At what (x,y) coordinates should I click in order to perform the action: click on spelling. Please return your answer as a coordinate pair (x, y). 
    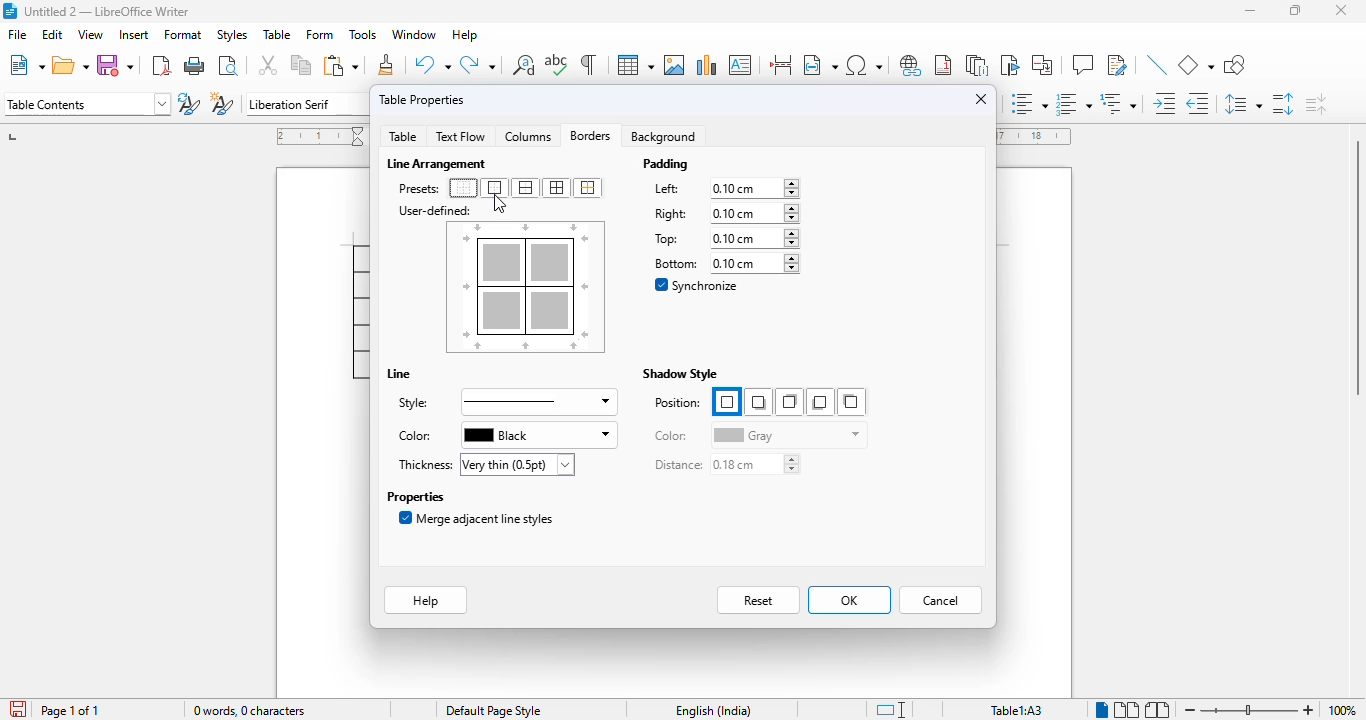
    Looking at the image, I should click on (558, 65).